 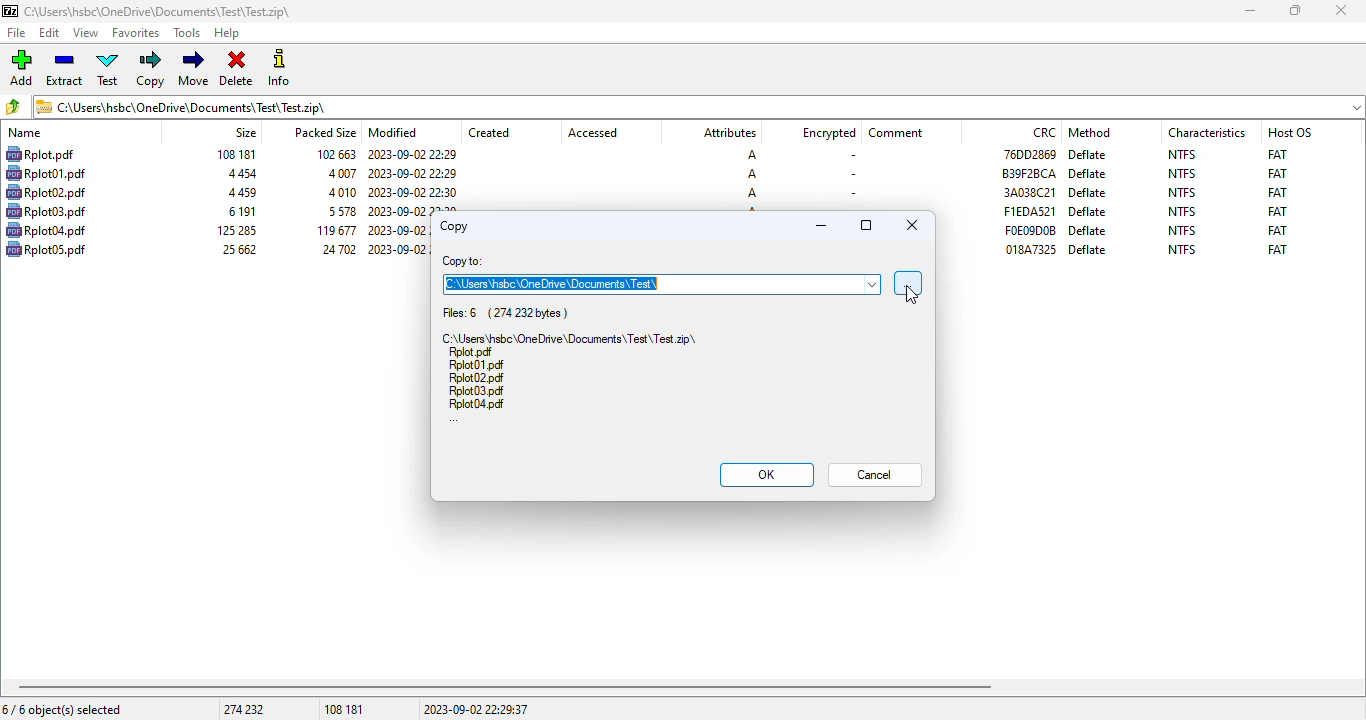 What do you see at coordinates (750, 155) in the screenshot?
I see `A` at bounding box center [750, 155].